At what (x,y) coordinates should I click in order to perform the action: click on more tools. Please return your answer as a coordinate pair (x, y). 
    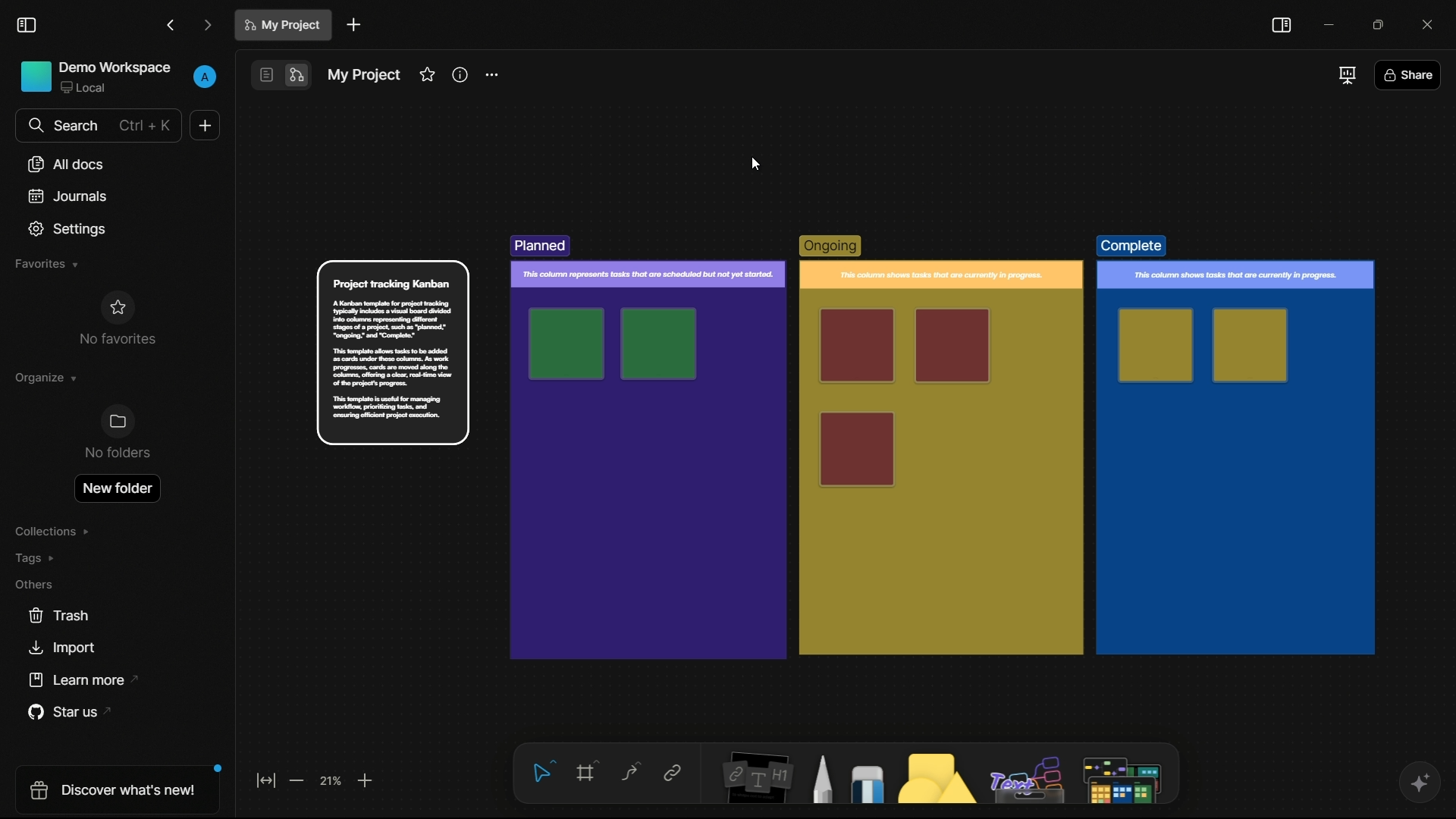
    Looking at the image, I should click on (1121, 774).